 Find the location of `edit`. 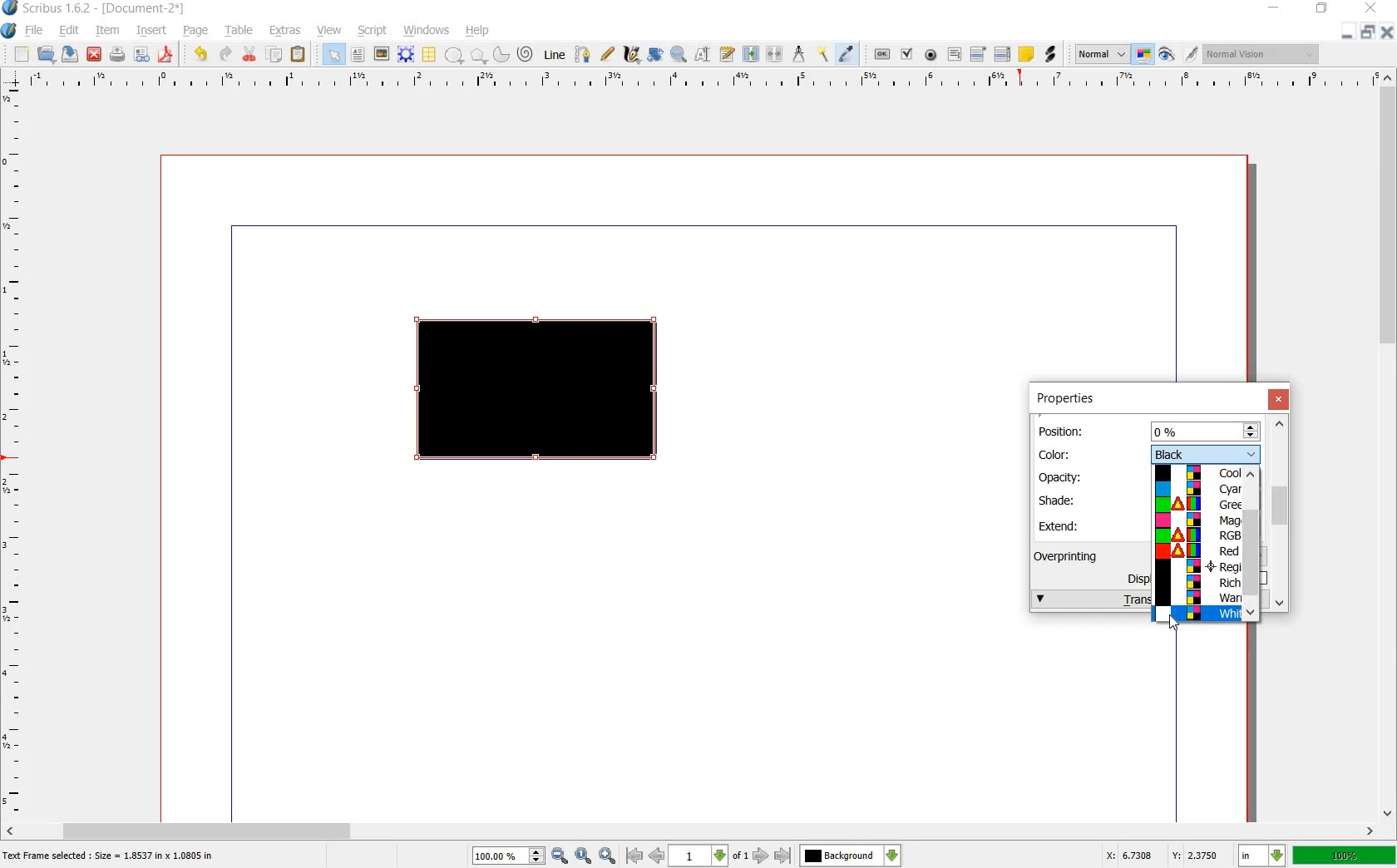

edit is located at coordinates (70, 31).